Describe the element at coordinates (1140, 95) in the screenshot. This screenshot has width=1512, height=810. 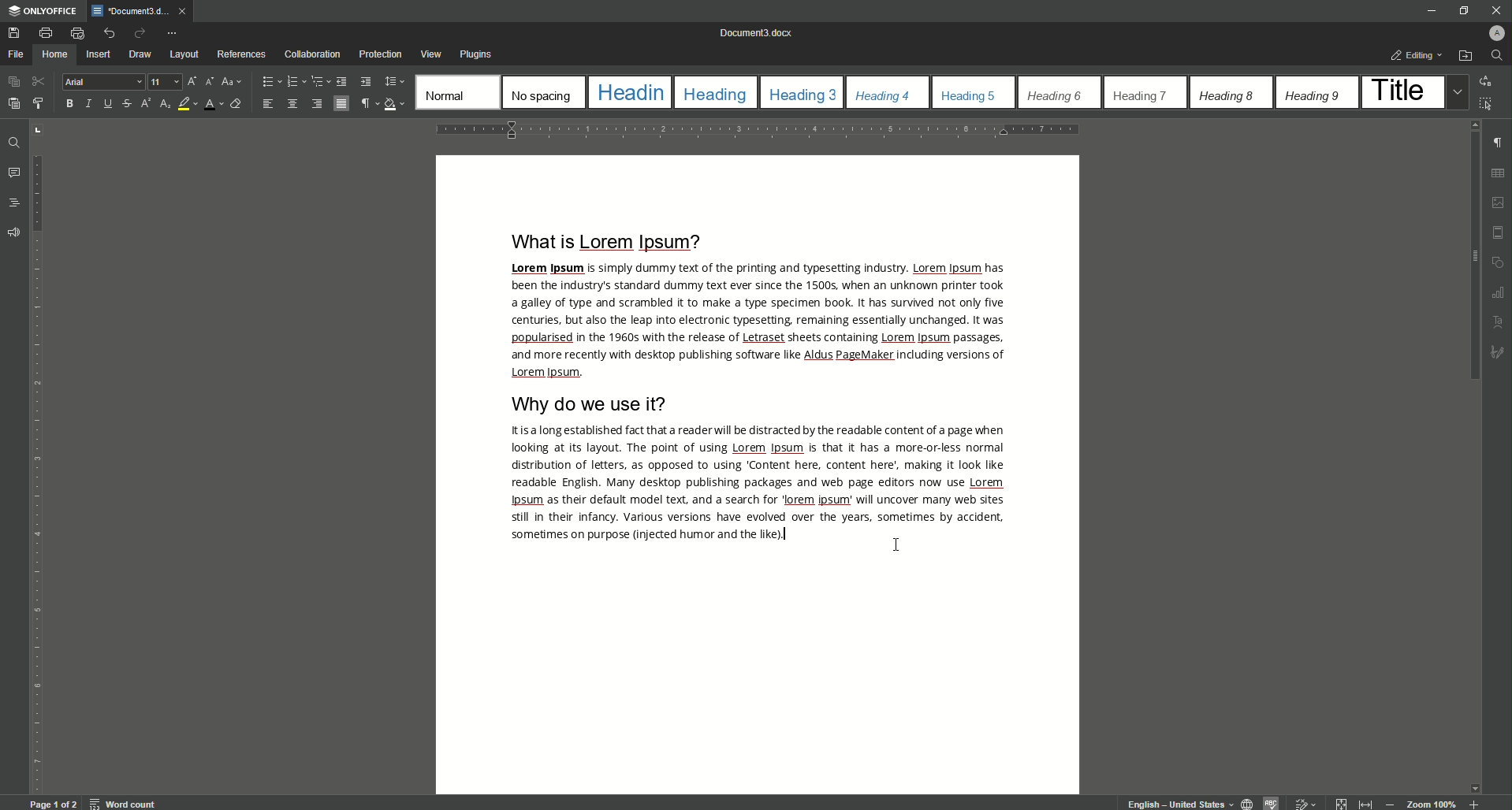
I see `Heading 7` at that location.